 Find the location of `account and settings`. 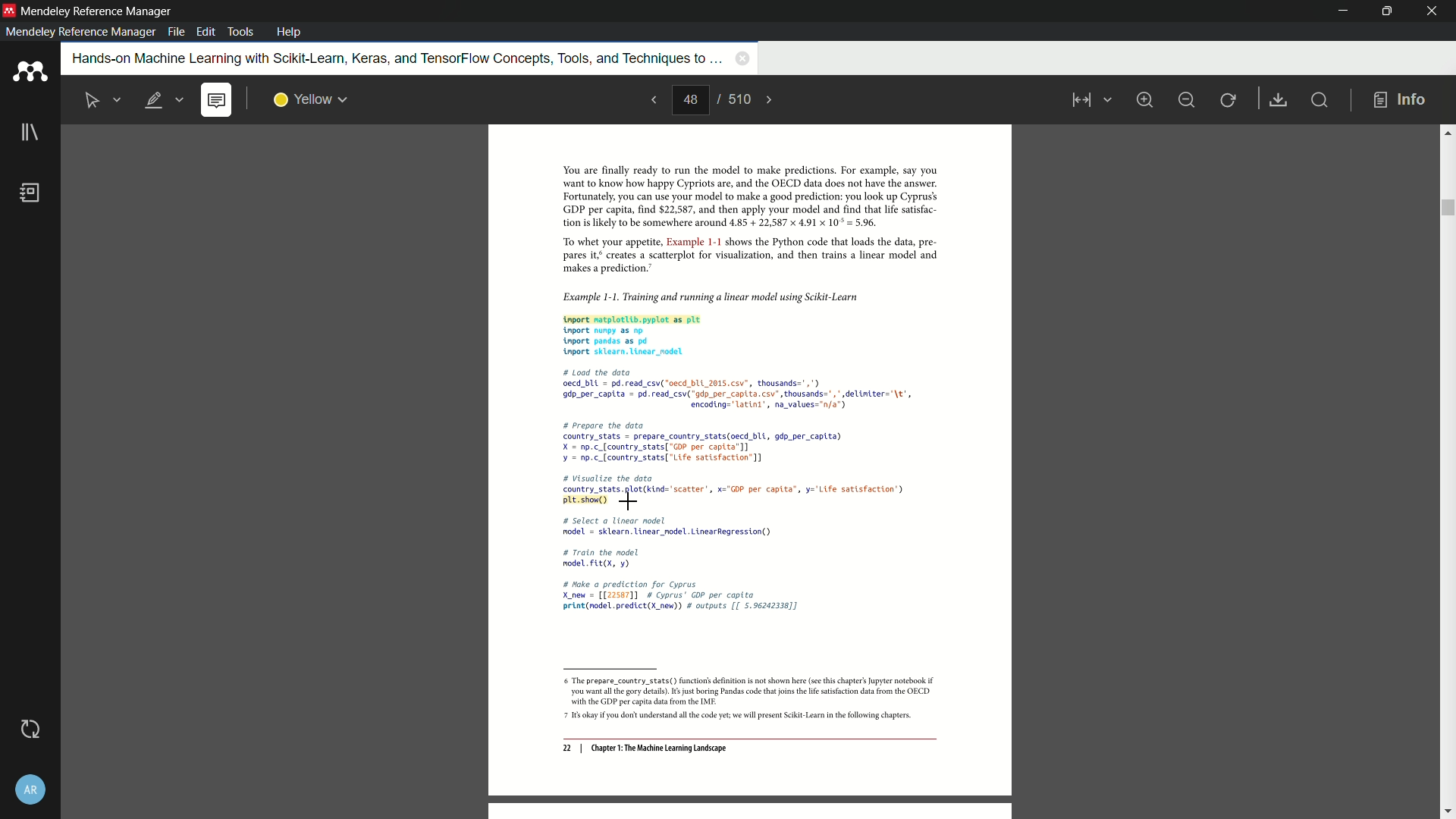

account and settings is located at coordinates (30, 789).